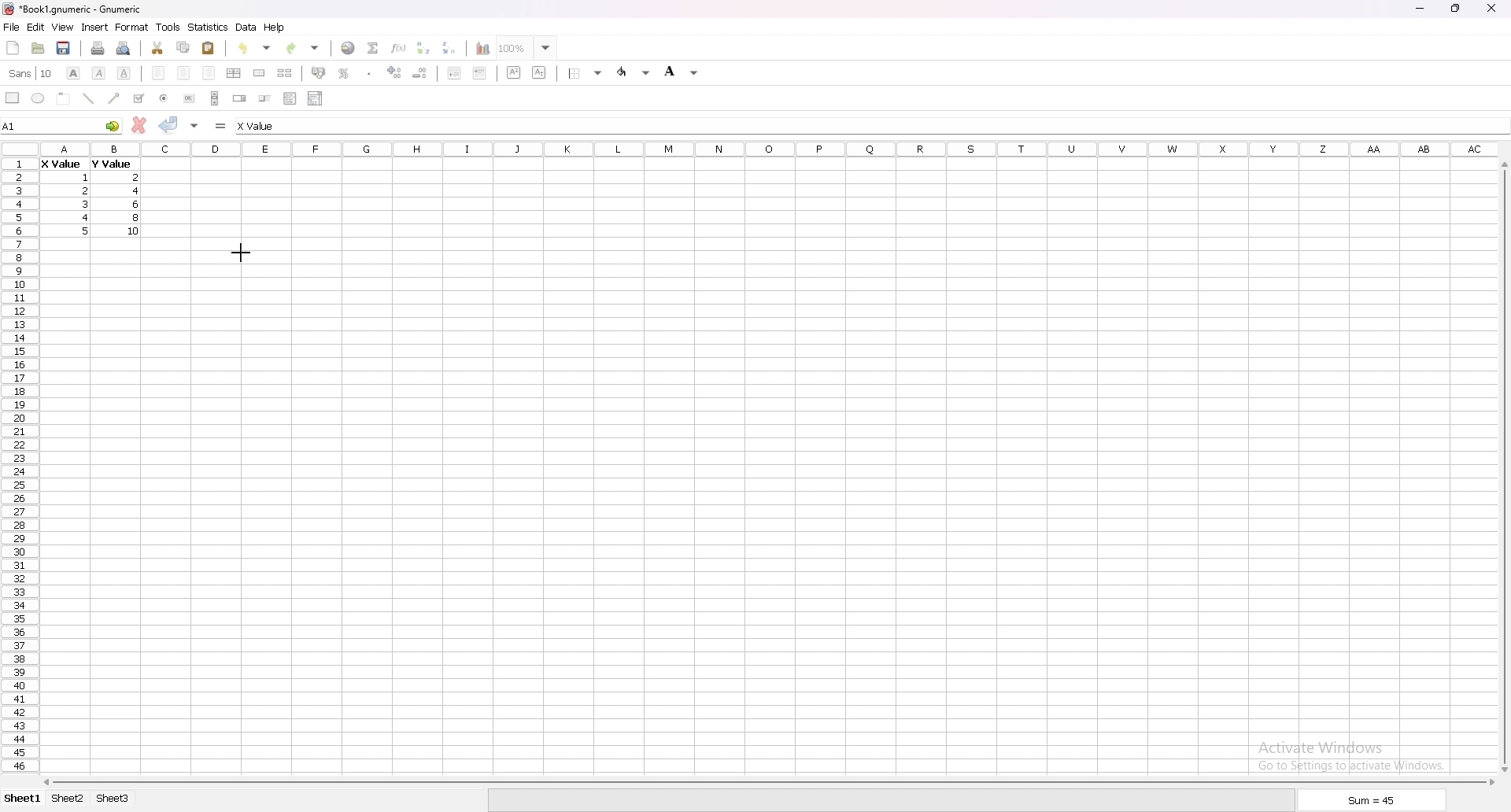  Describe the element at coordinates (115, 98) in the screenshot. I see `arrowed line` at that location.